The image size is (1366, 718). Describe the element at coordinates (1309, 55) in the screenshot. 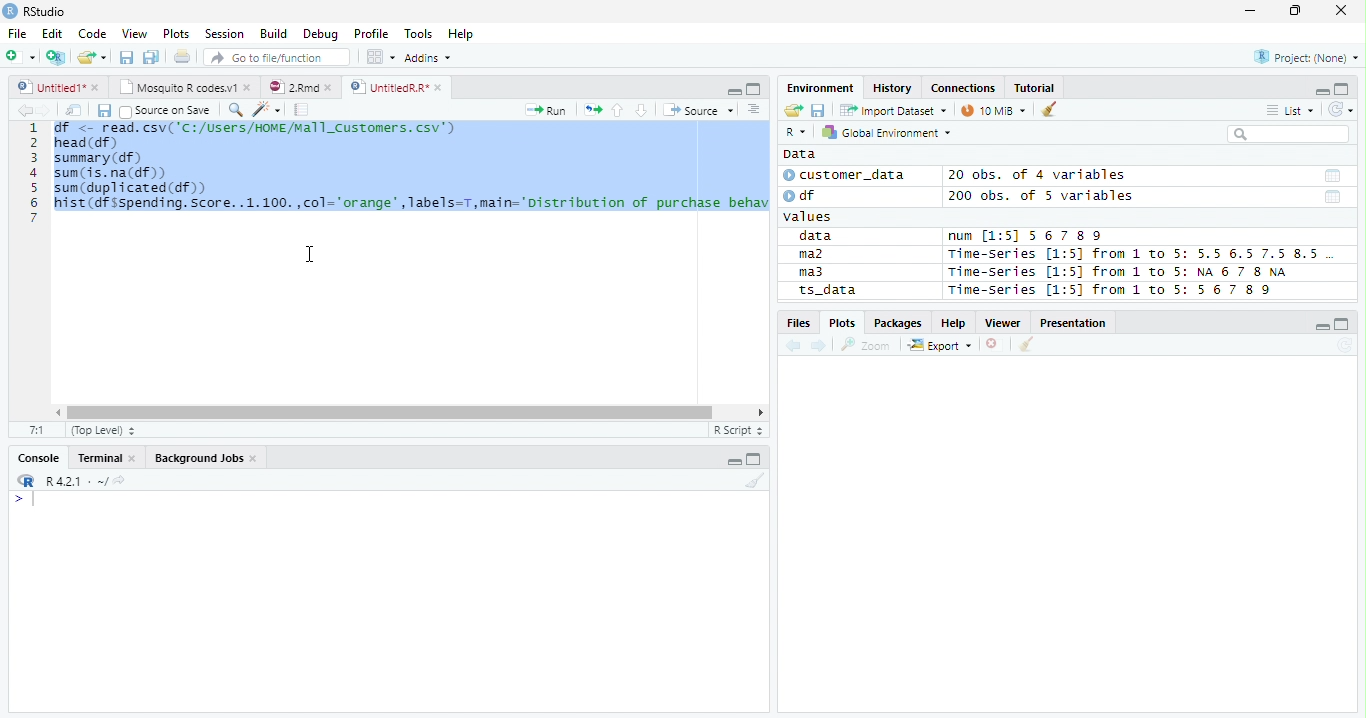

I see `Project (none)` at that location.